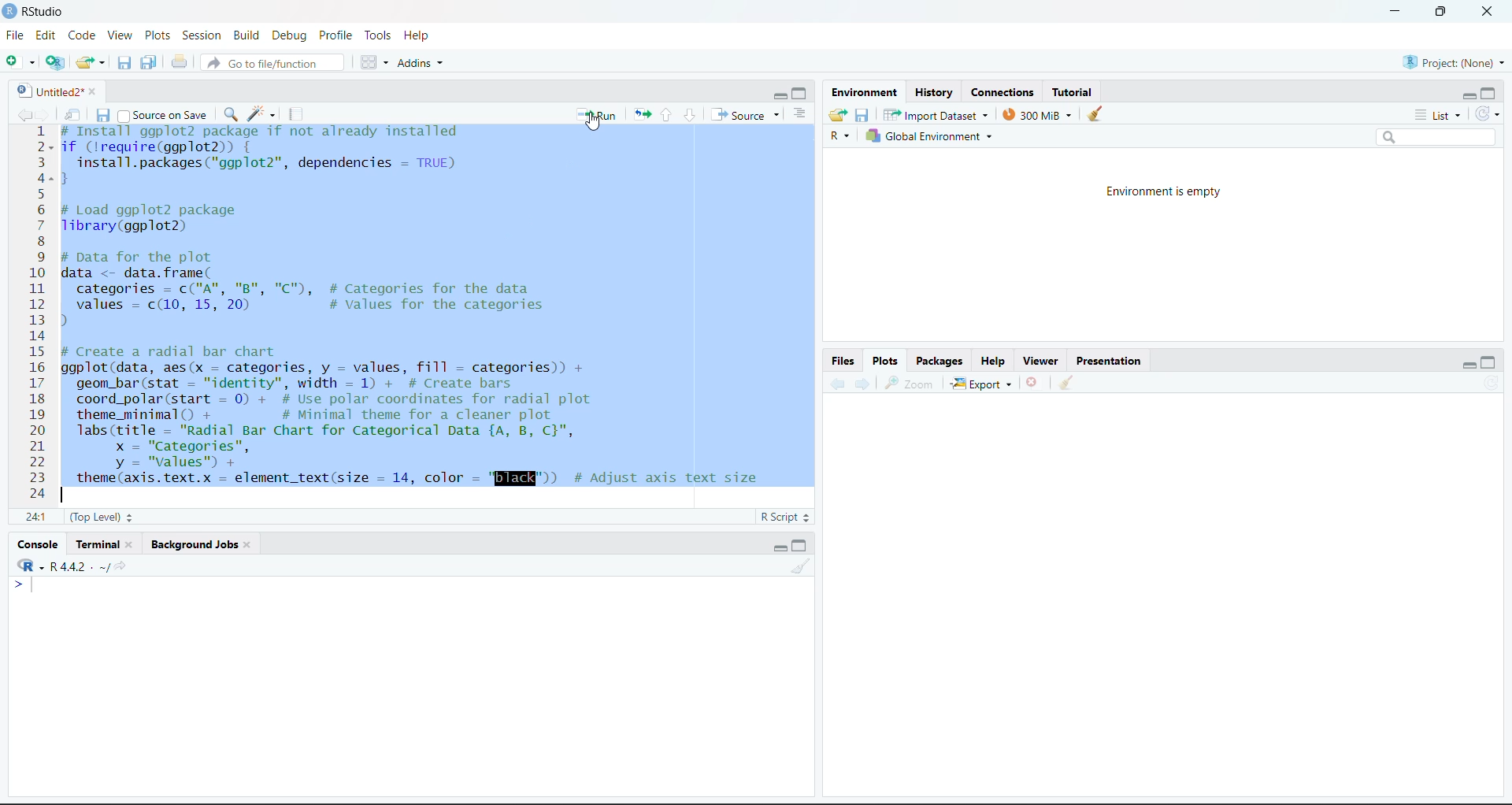 This screenshot has width=1512, height=805. Describe the element at coordinates (270, 63) in the screenshot. I see `Go to file/function` at that location.